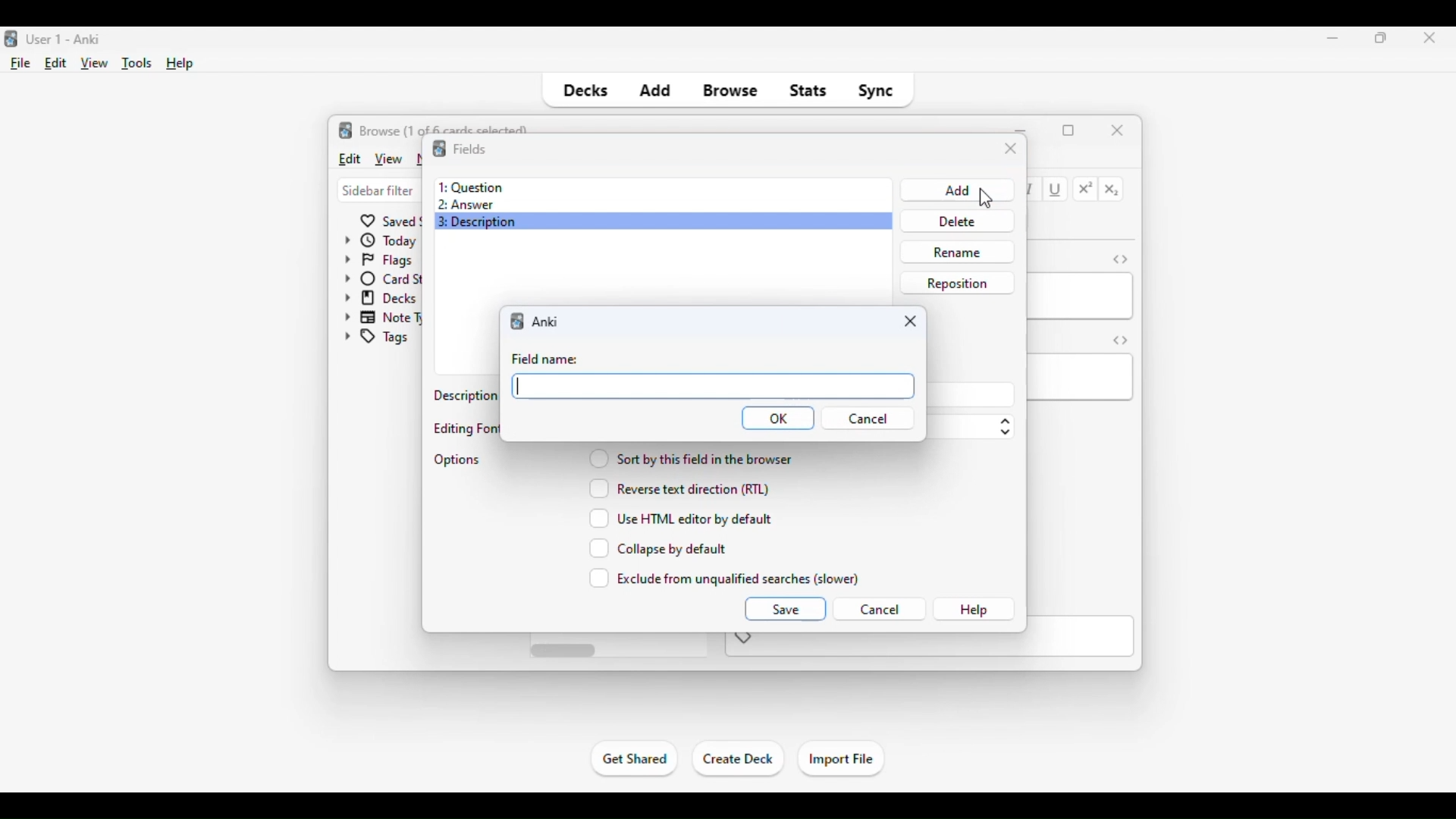 Image resolution: width=1456 pixels, height=819 pixels. I want to click on exclude from unqualified searches (slower), so click(725, 578).